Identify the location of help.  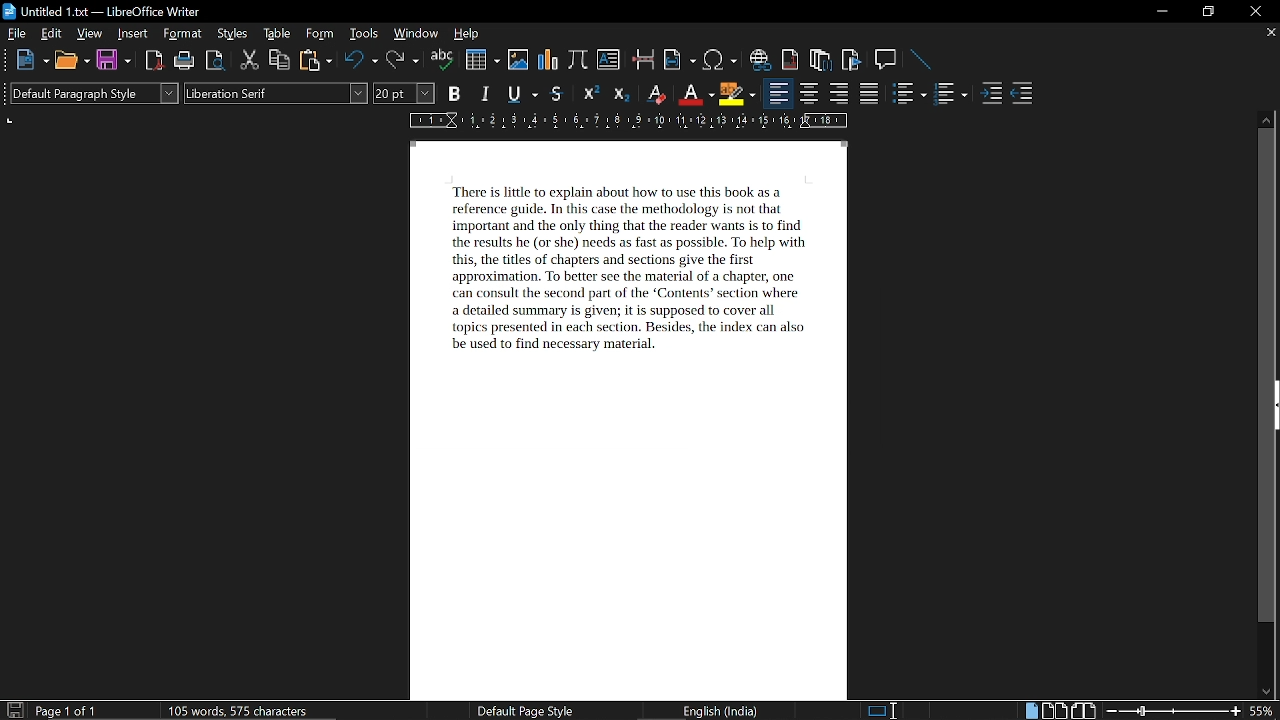
(470, 34).